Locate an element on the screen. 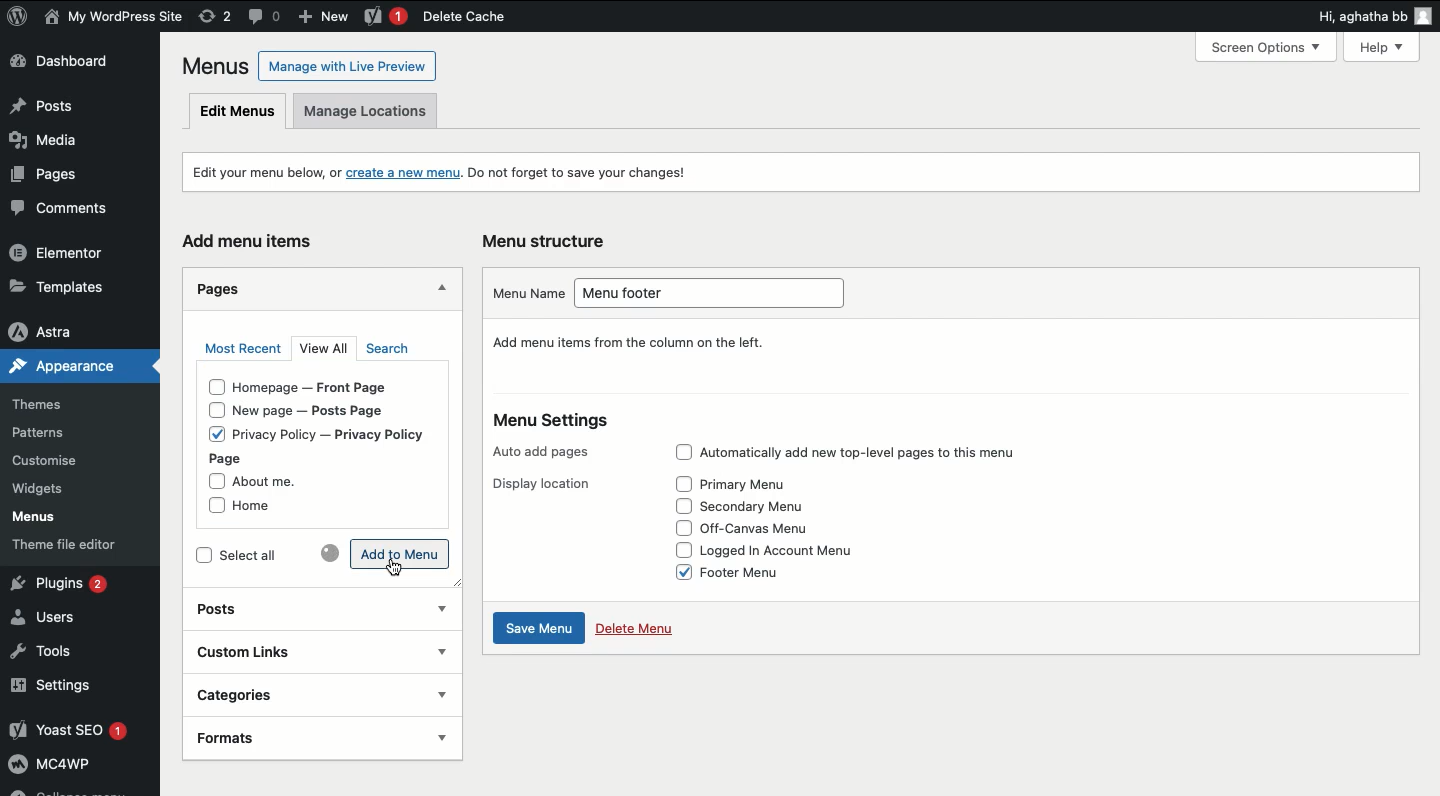 The width and height of the screenshot is (1440, 796). Menus is located at coordinates (48, 519).